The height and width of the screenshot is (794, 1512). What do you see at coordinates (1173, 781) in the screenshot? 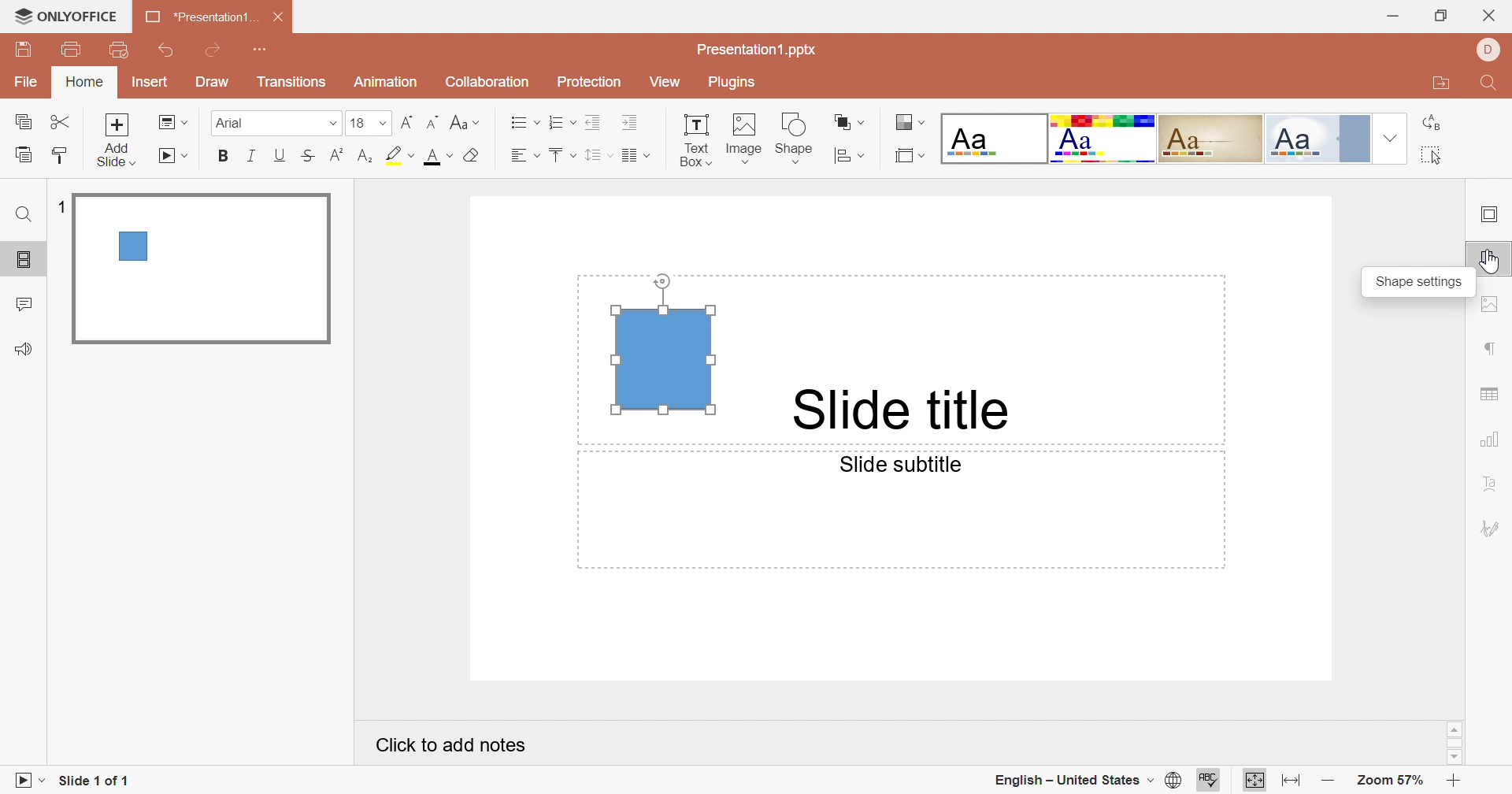
I see `SET DOCUMENT LANGUAGE` at bounding box center [1173, 781].